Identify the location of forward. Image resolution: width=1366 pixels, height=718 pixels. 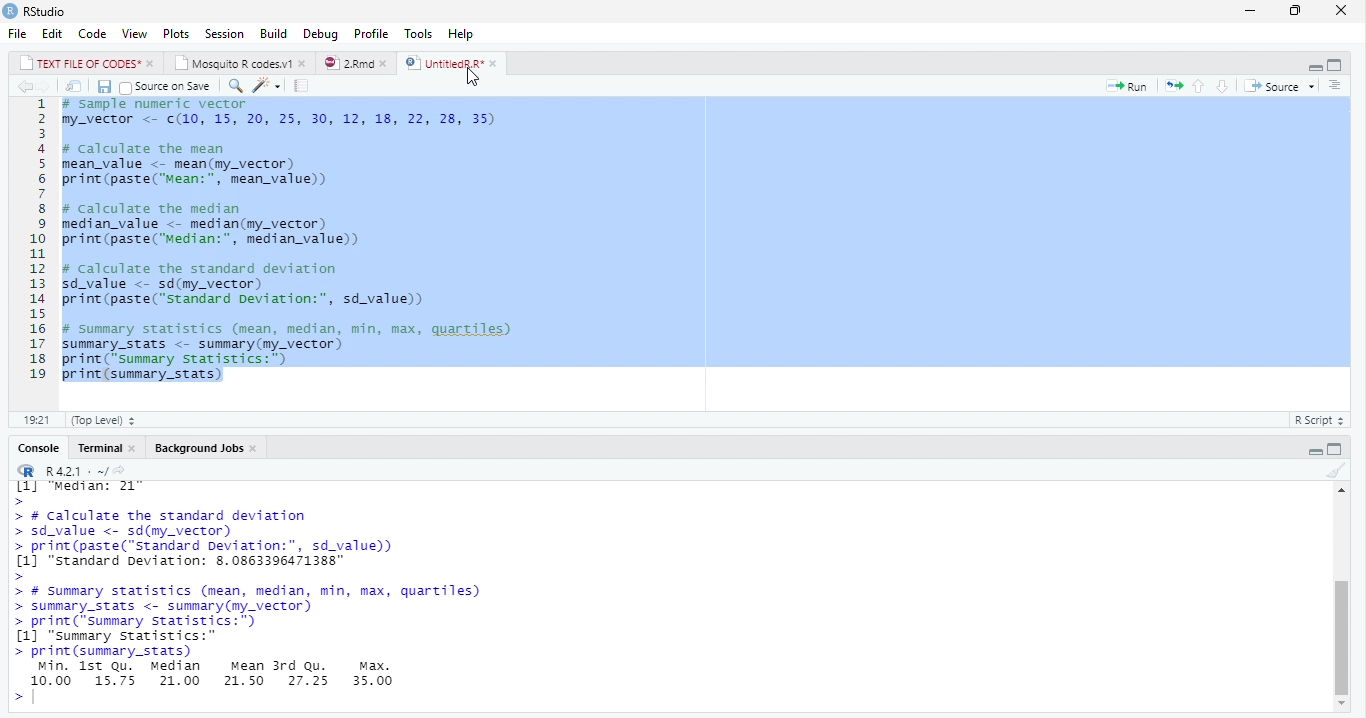
(46, 86).